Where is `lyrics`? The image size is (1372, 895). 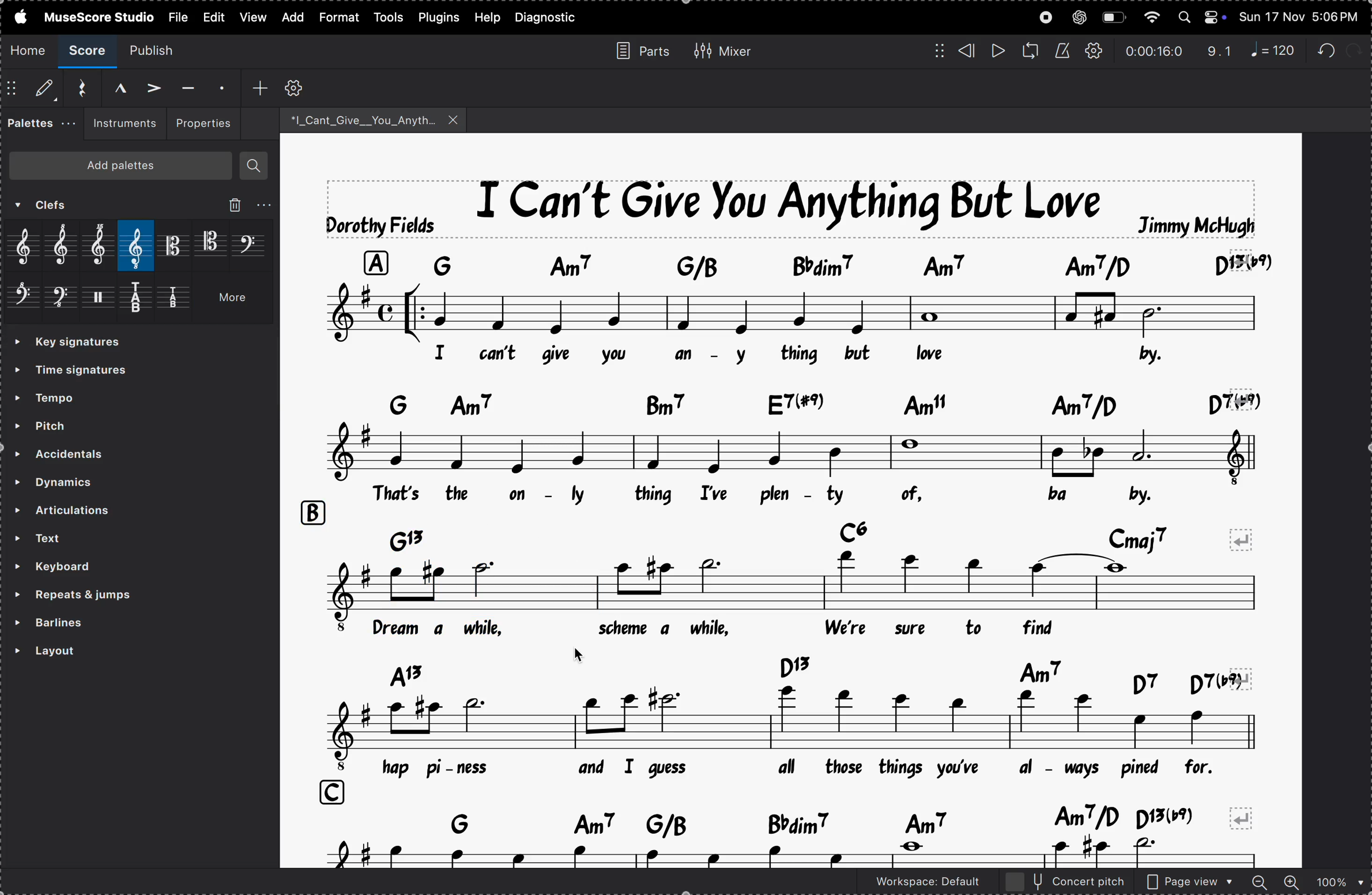
lyrics is located at coordinates (798, 495).